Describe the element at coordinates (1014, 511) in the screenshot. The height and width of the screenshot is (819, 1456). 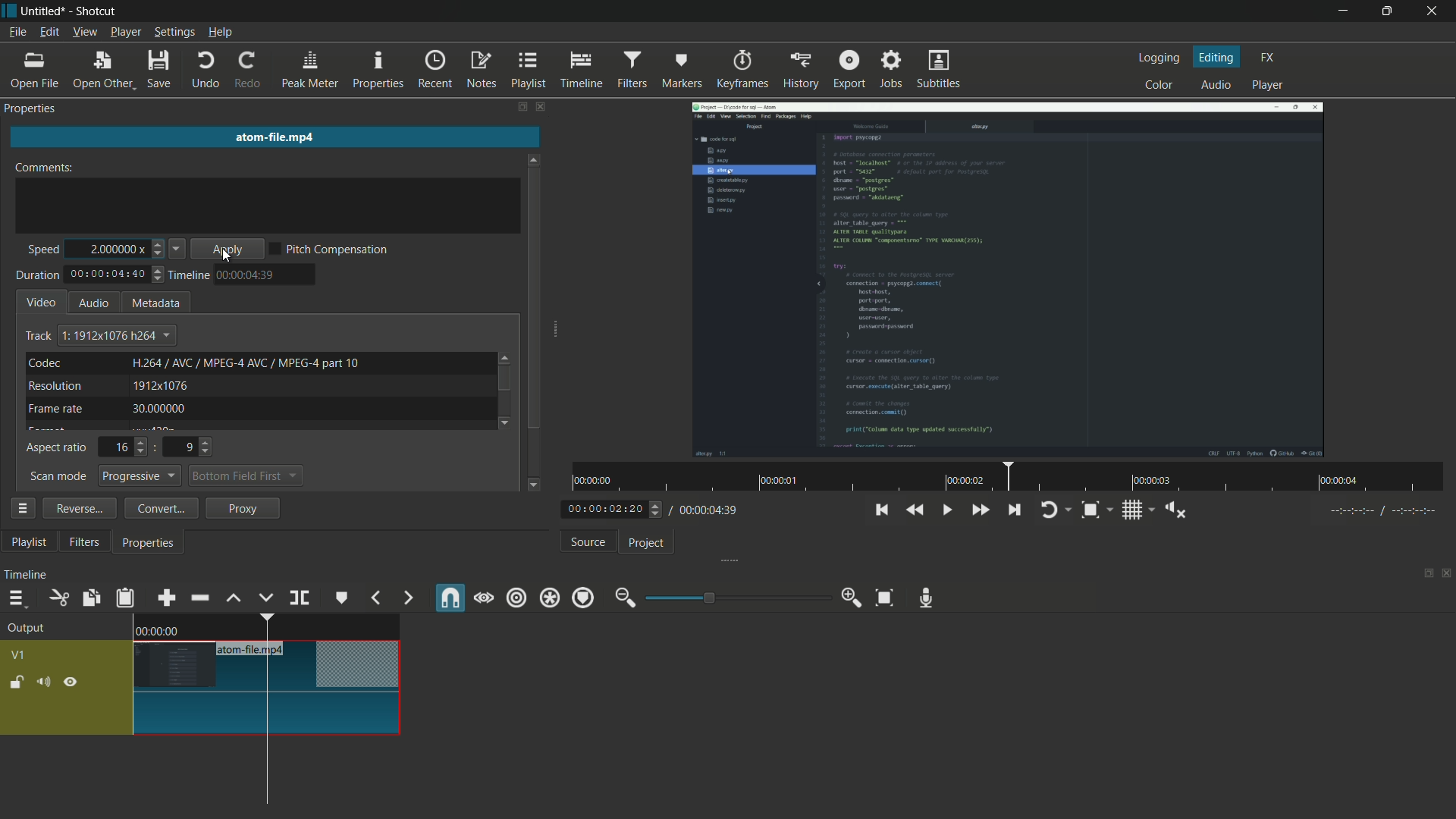
I see `skip to the next point` at that location.